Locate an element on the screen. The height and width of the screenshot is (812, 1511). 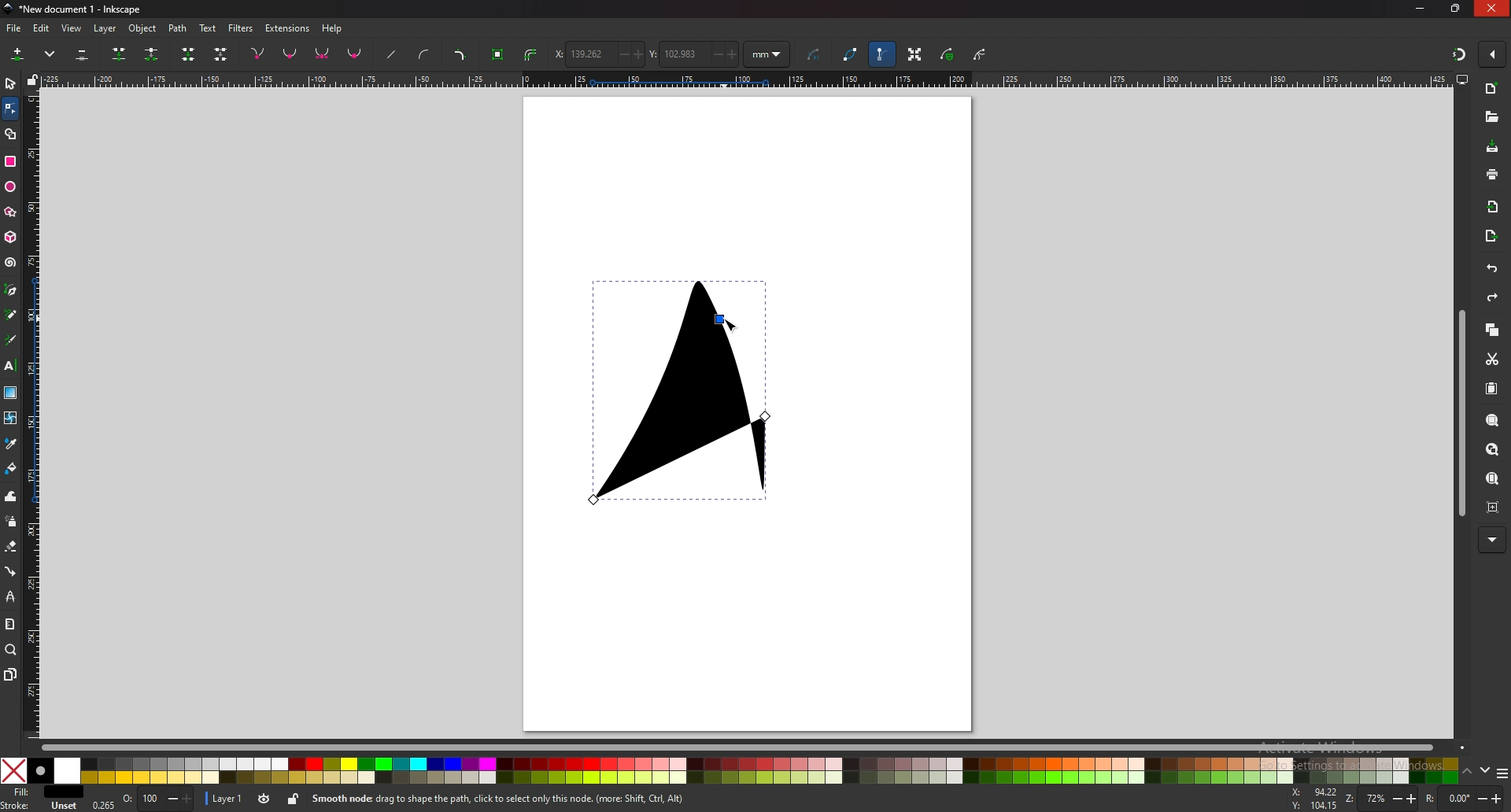
zoom centre page is located at coordinates (1494, 508).